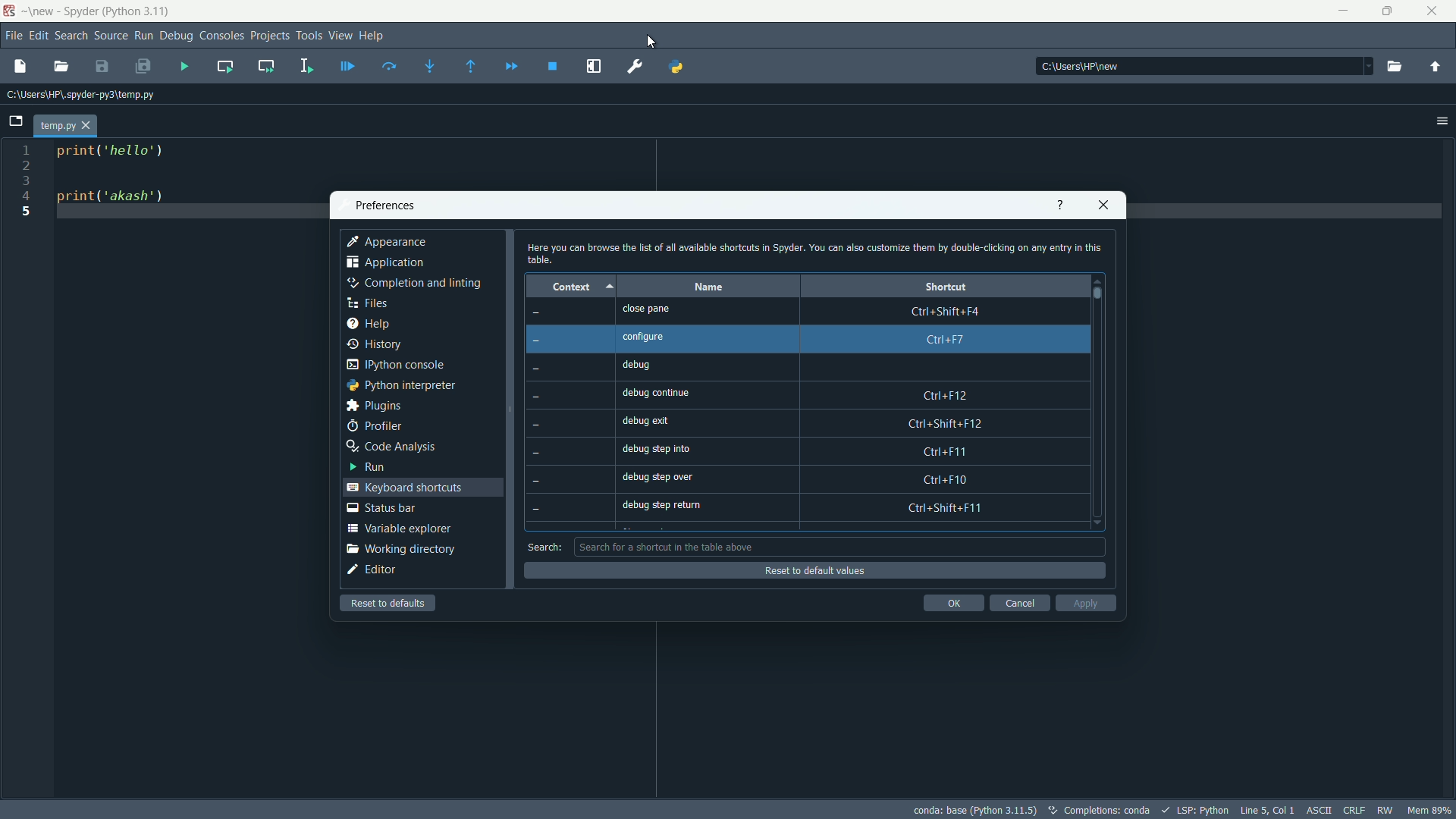 This screenshot has width=1456, height=819. I want to click on directory, so click(1084, 67).